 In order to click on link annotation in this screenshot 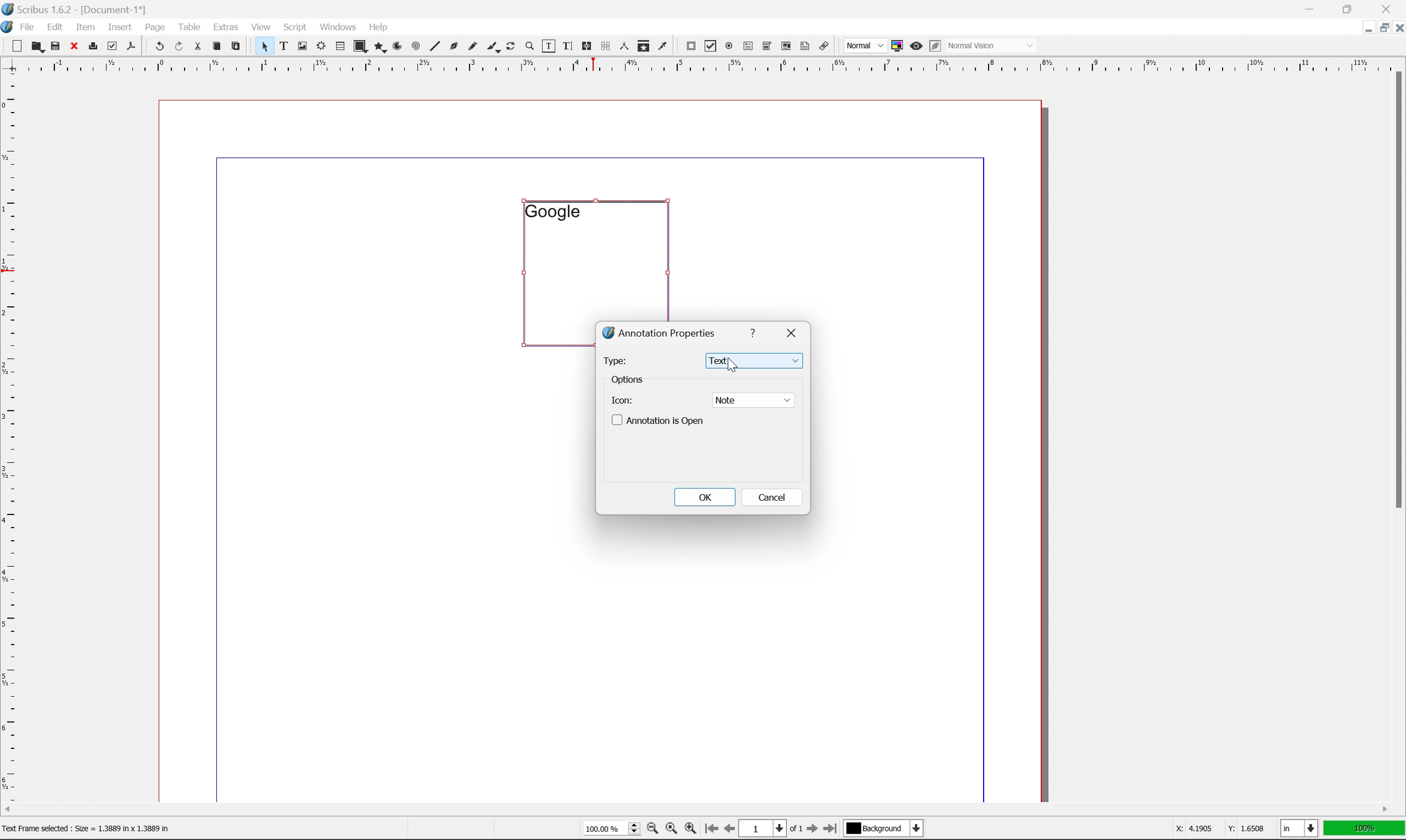, I will do `click(824, 47)`.